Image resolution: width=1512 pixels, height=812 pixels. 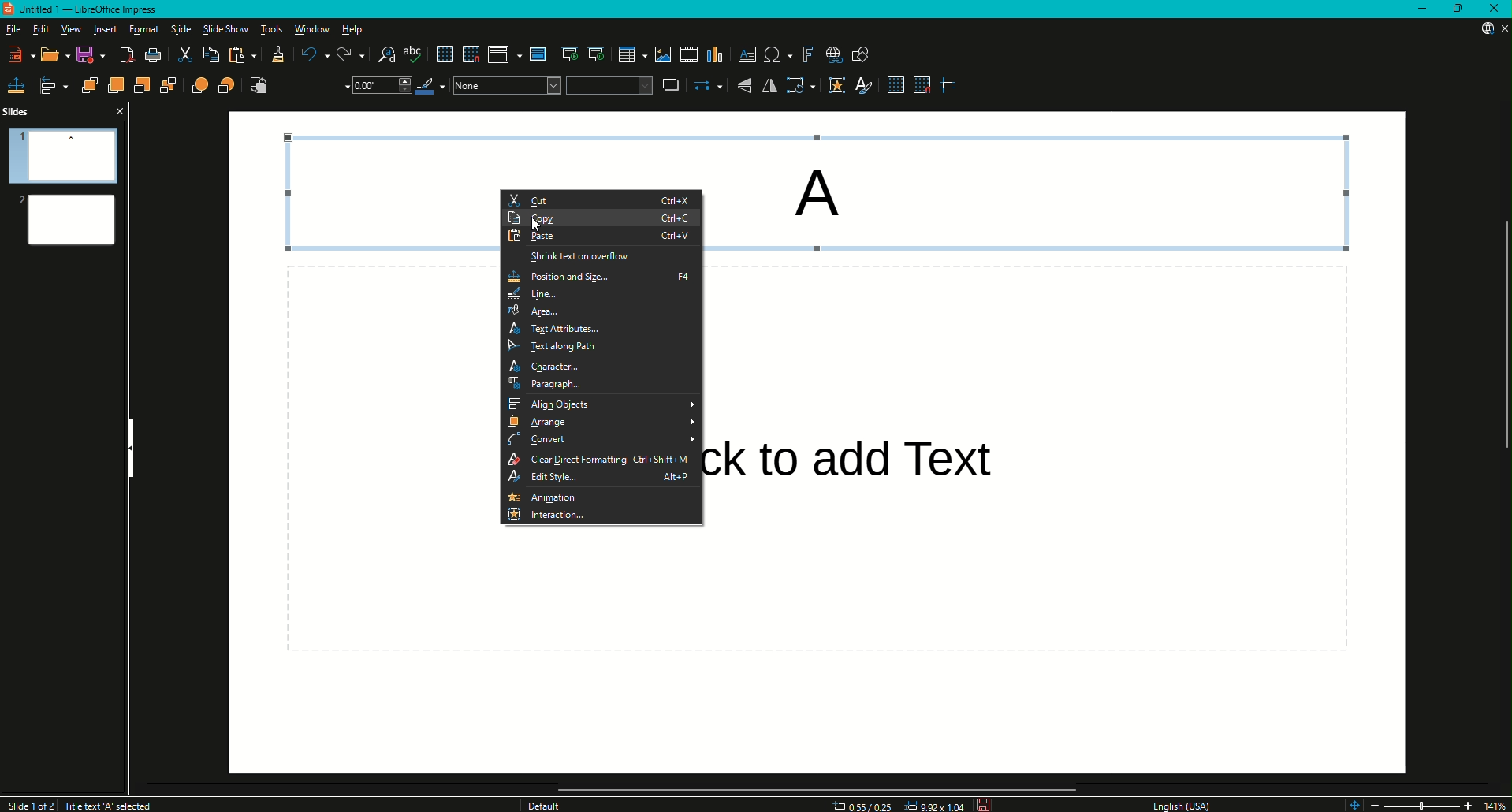 I want to click on Zoom controls, so click(x=1351, y=802).